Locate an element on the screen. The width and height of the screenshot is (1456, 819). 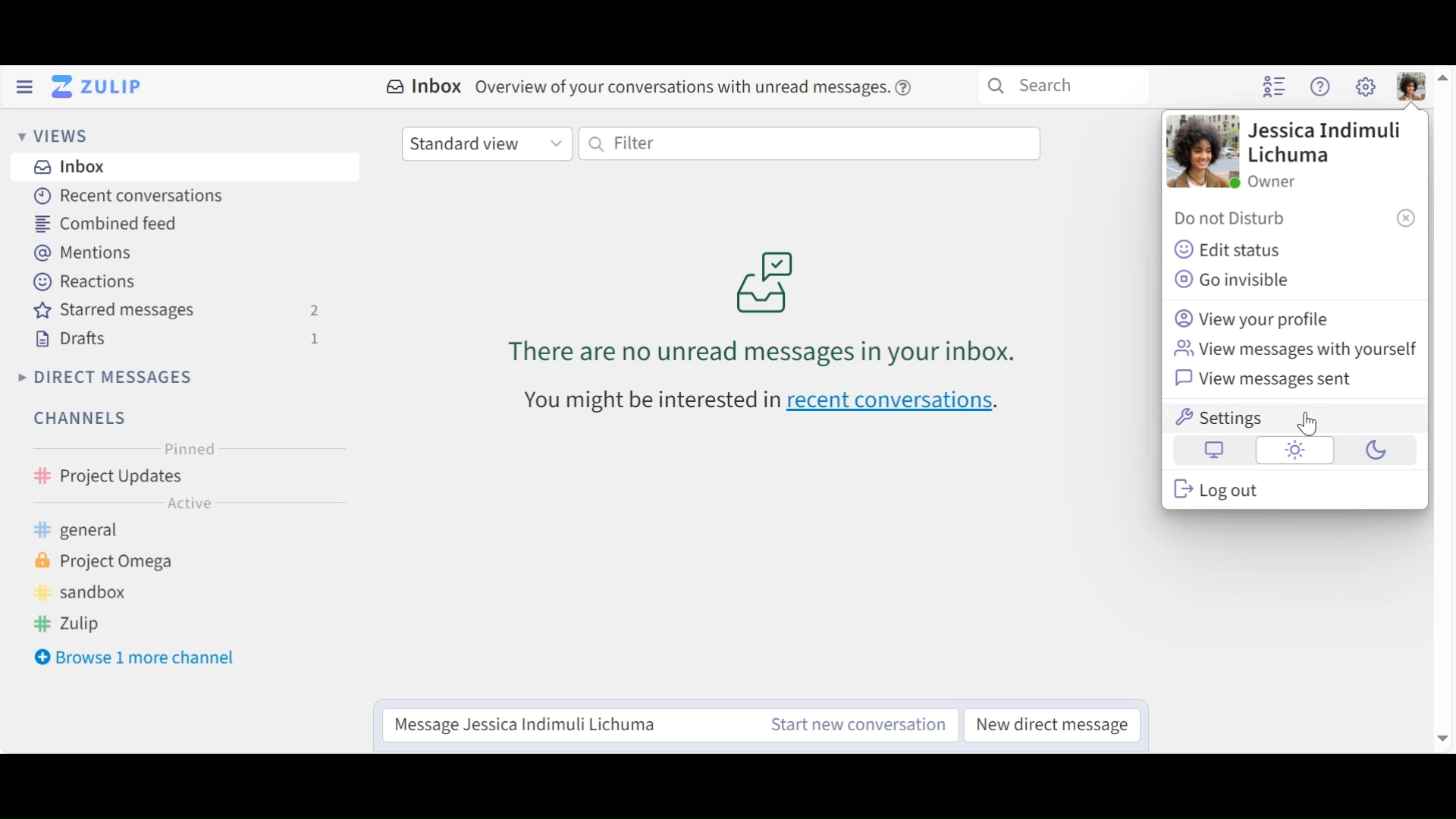
Do not Disturb is located at coordinates (1293, 219).